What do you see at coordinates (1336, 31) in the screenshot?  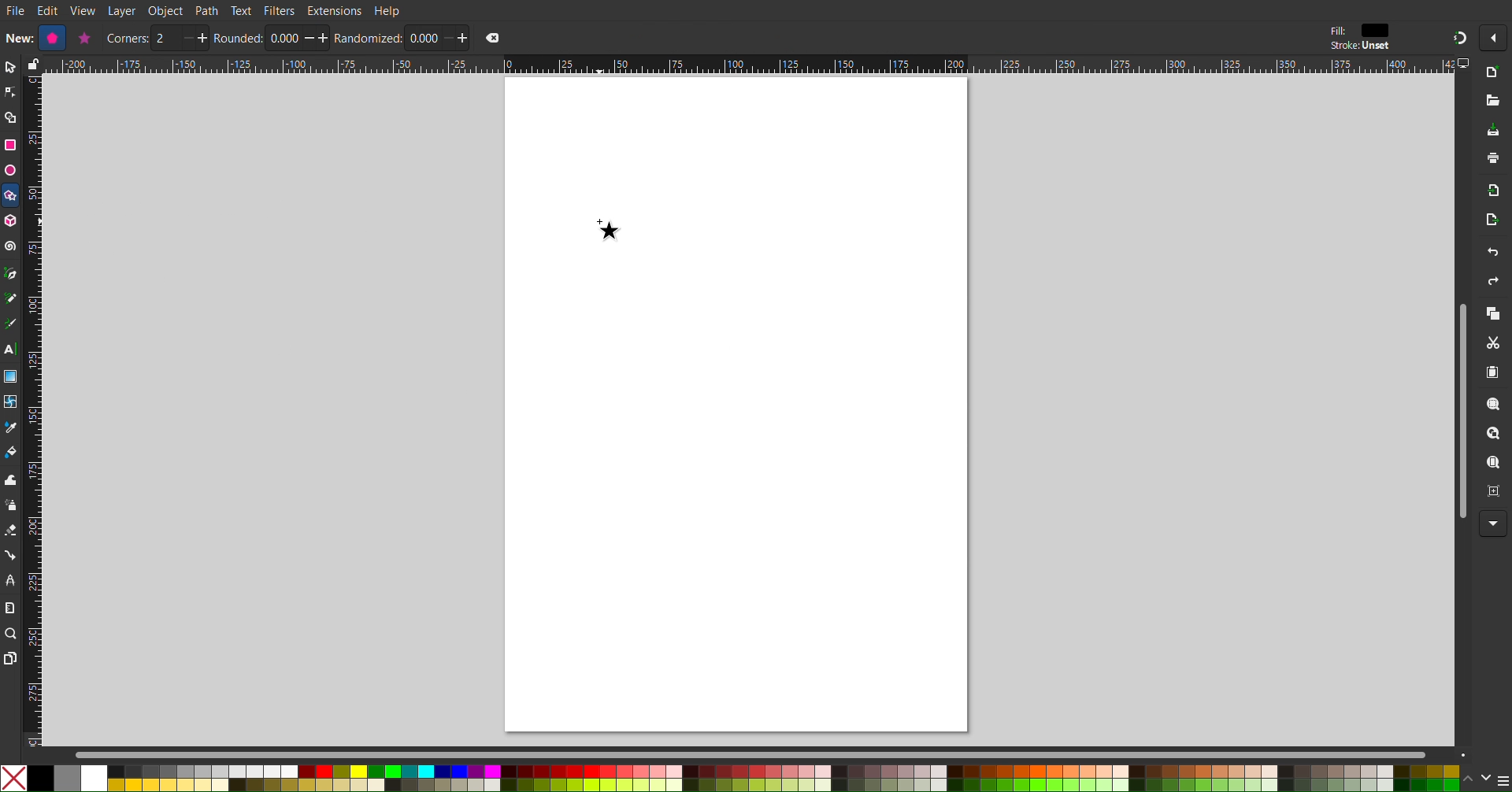 I see `Fill` at bounding box center [1336, 31].